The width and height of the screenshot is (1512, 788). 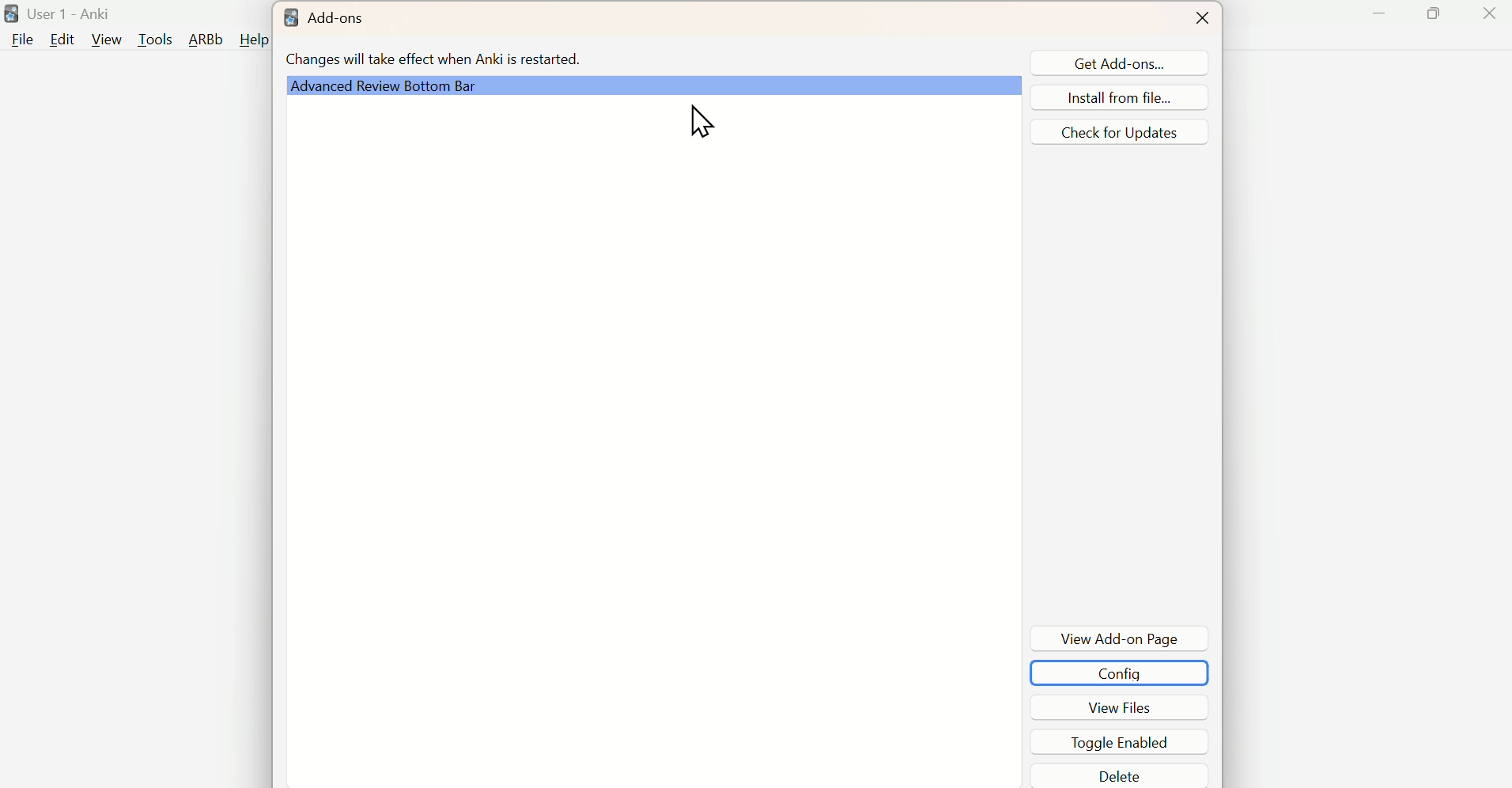 I want to click on Maximize, so click(x=1438, y=13).